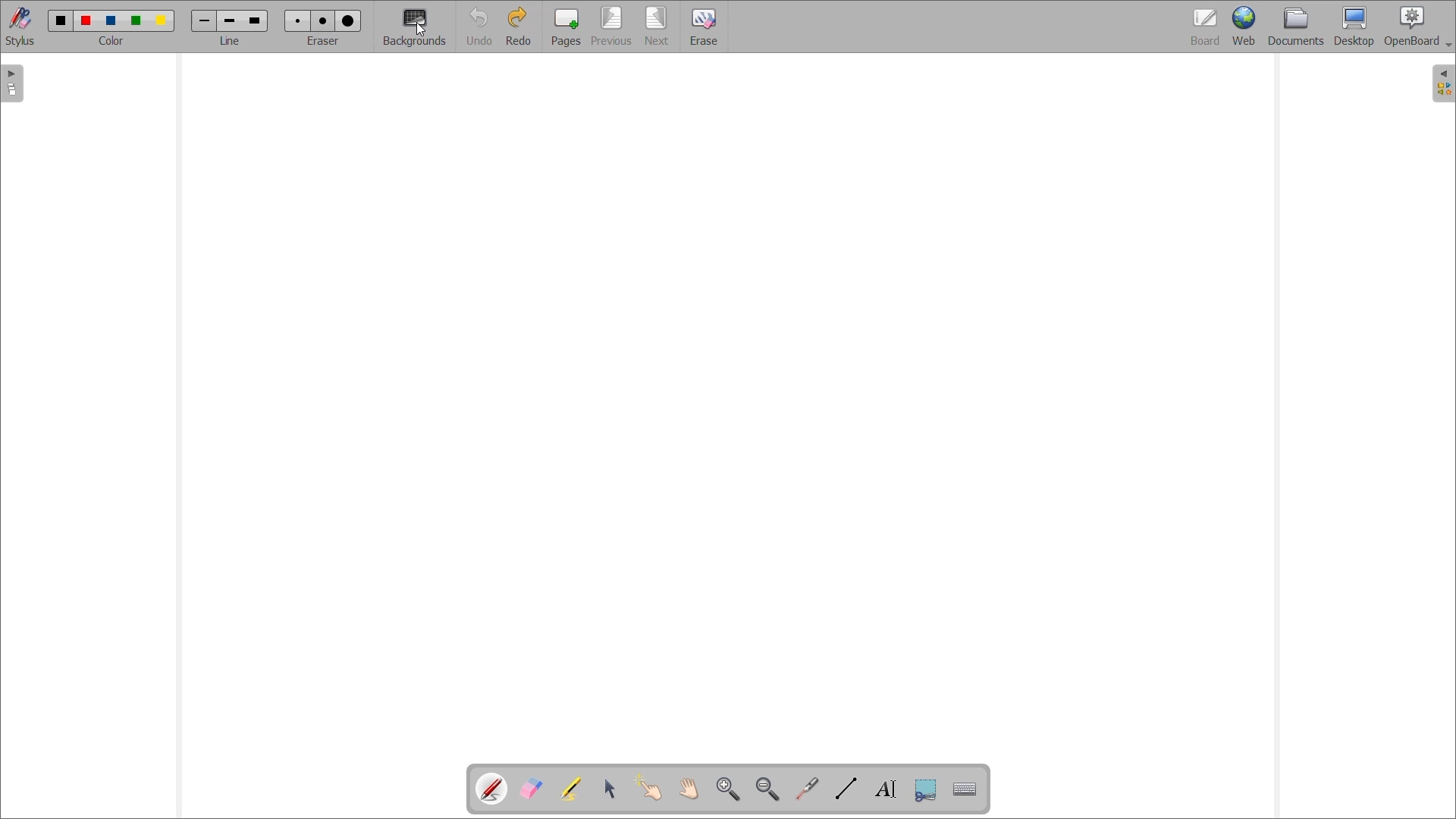  Describe the element at coordinates (231, 41) in the screenshot. I see `Line` at that location.